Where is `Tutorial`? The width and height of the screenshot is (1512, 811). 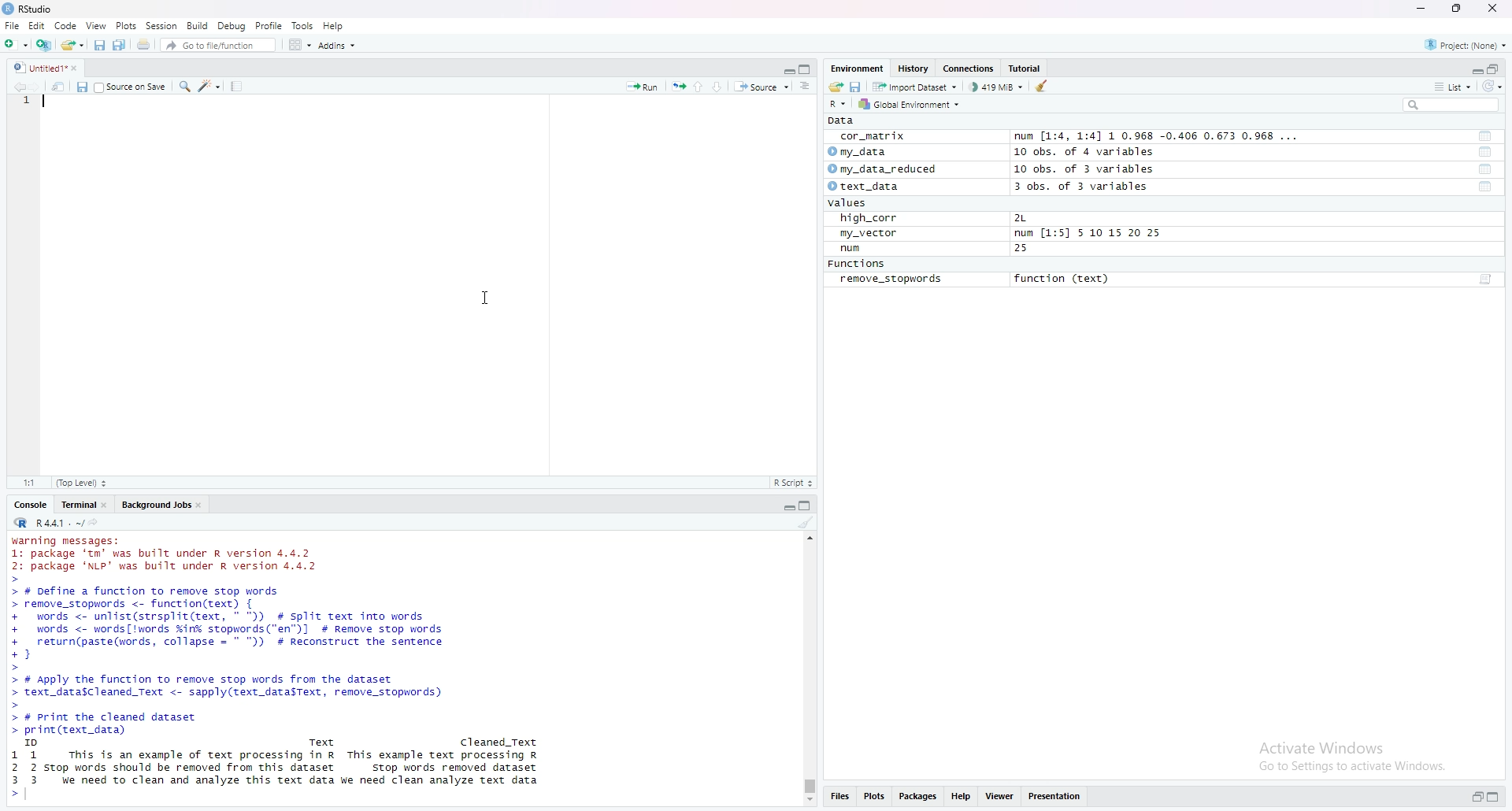 Tutorial is located at coordinates (1025, 69).